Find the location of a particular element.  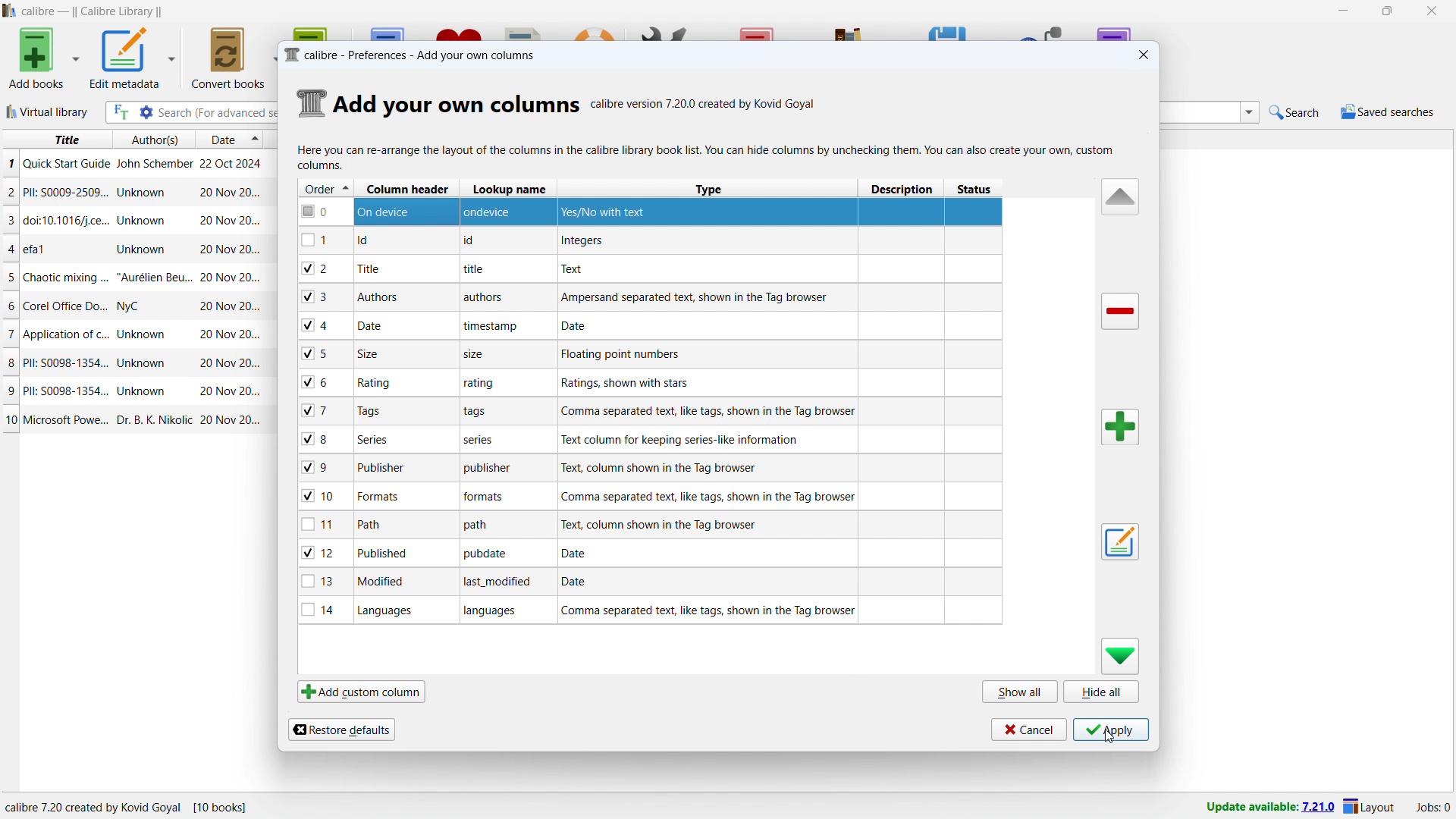

Vv. 6 Rating rating Ratings, shown with stars is located at coordinates (645, 383).